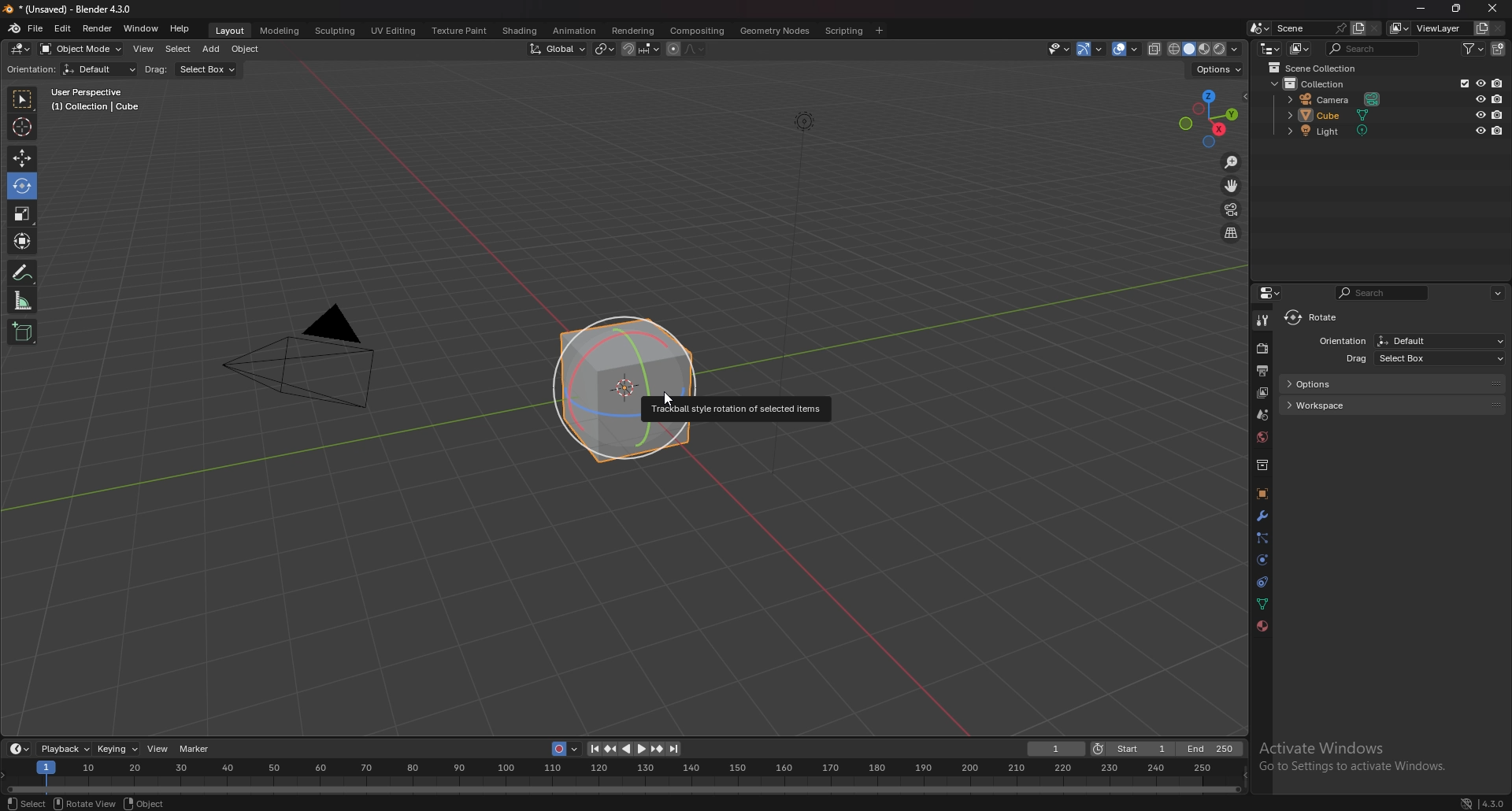 This screenshot has width=1512, height=811. What do you see at coordinates (1056, 749) in the screenshot?
I see `current frame` at bounding box center [1056, 749].